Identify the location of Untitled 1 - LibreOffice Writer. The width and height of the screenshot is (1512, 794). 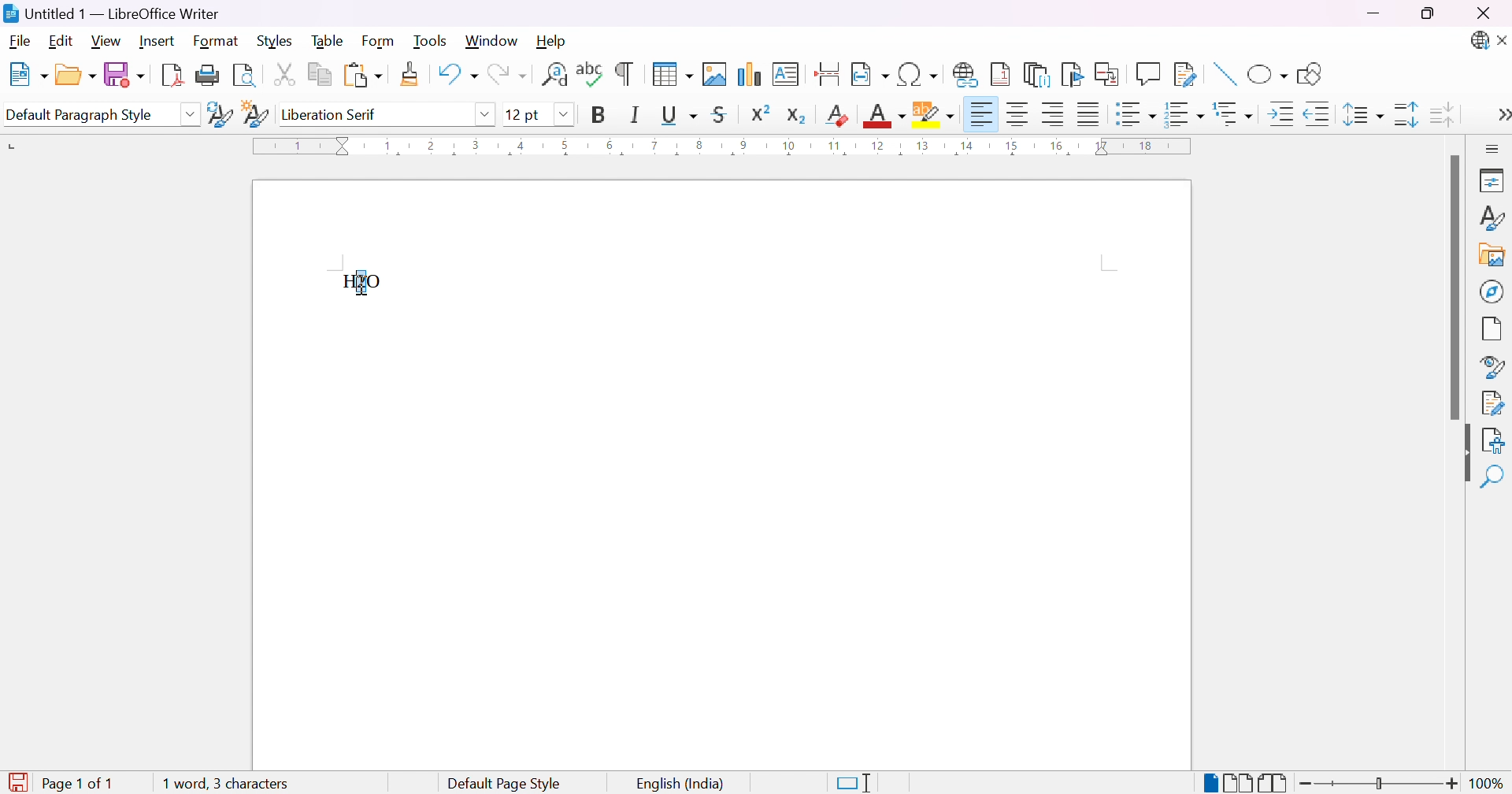
(109, 13).